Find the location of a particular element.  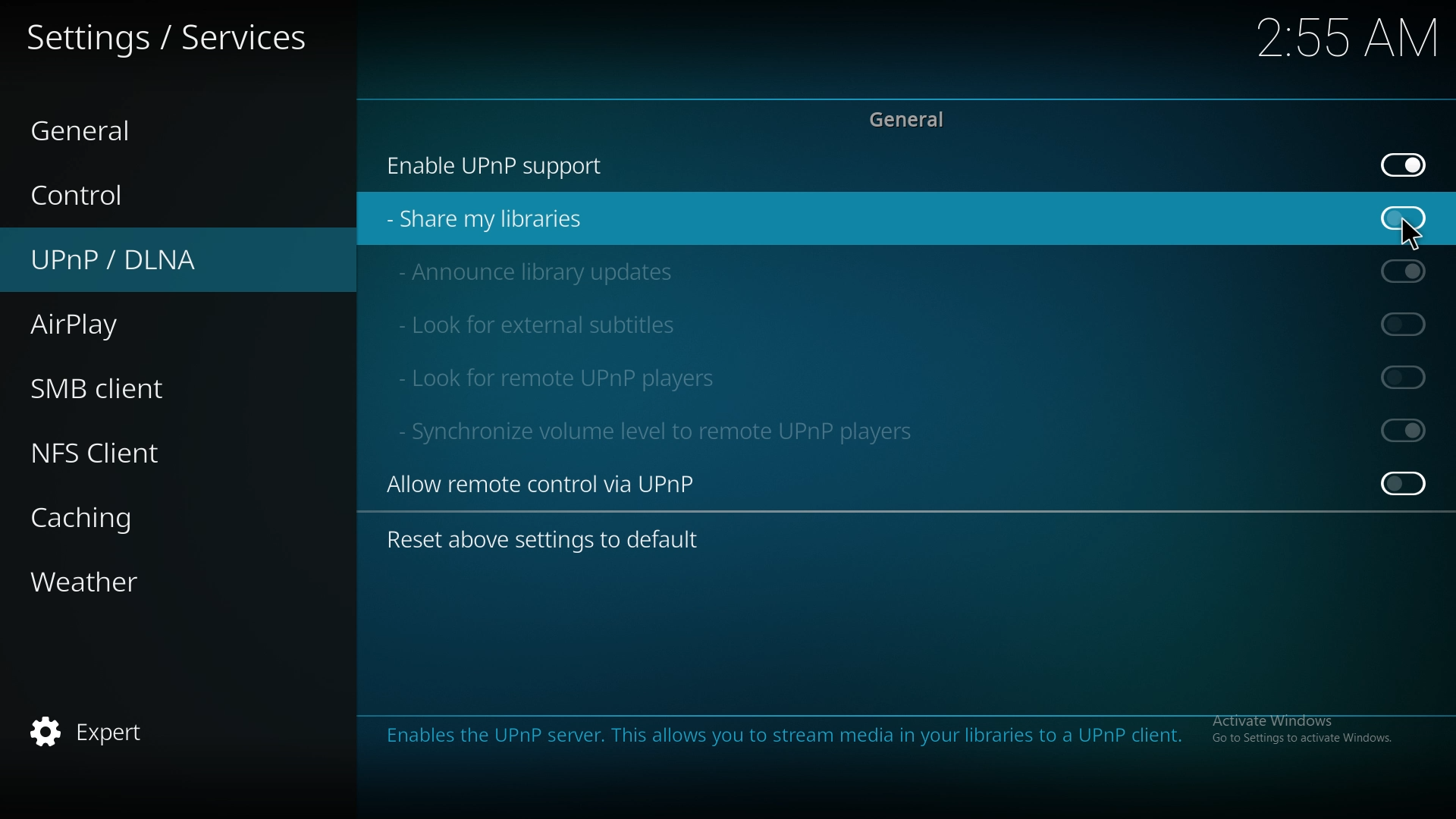

weather is located at coordinates (110, 580).